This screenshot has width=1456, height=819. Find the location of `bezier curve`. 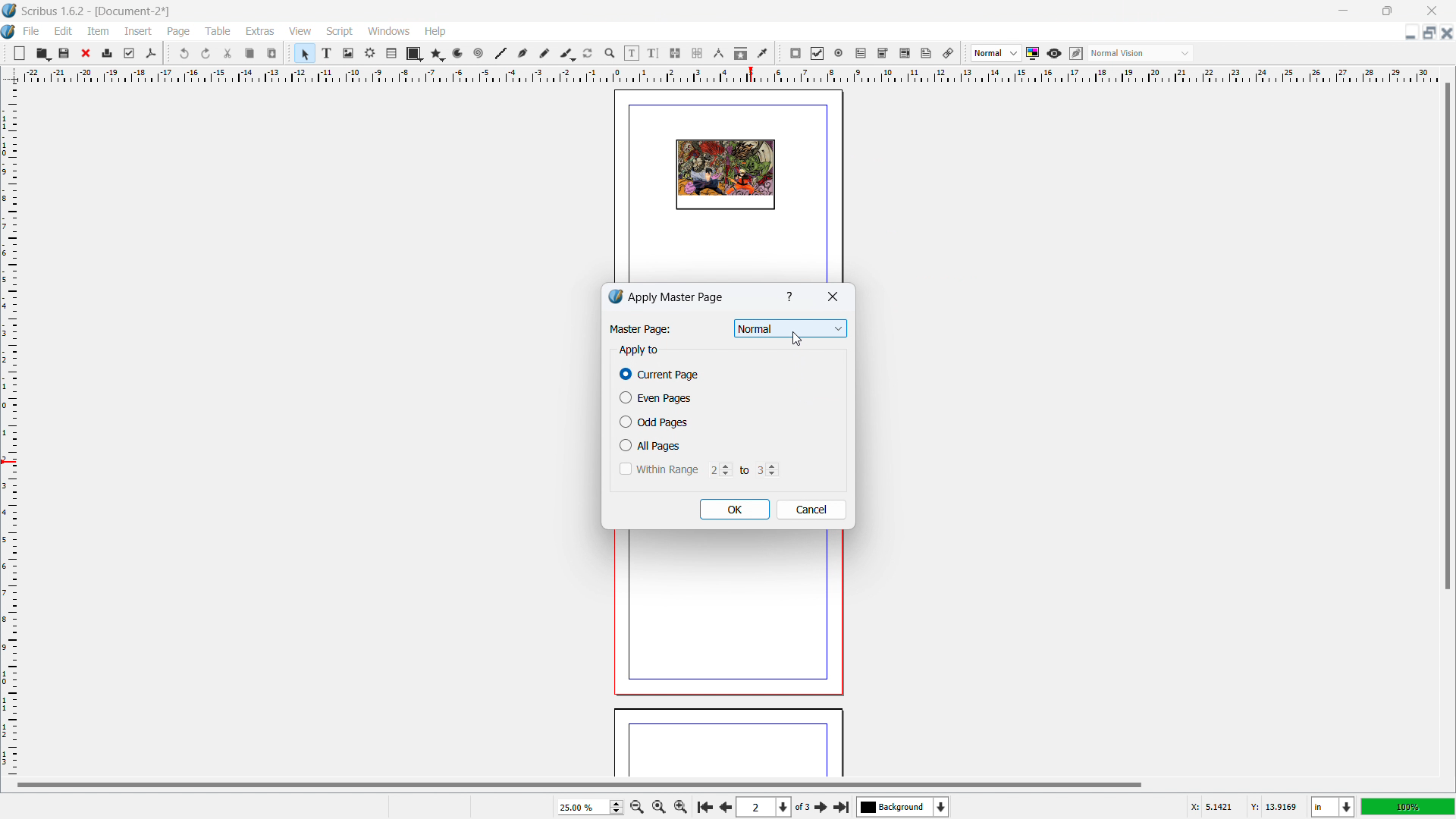

bezier curve is located at coordinates (522, 54).